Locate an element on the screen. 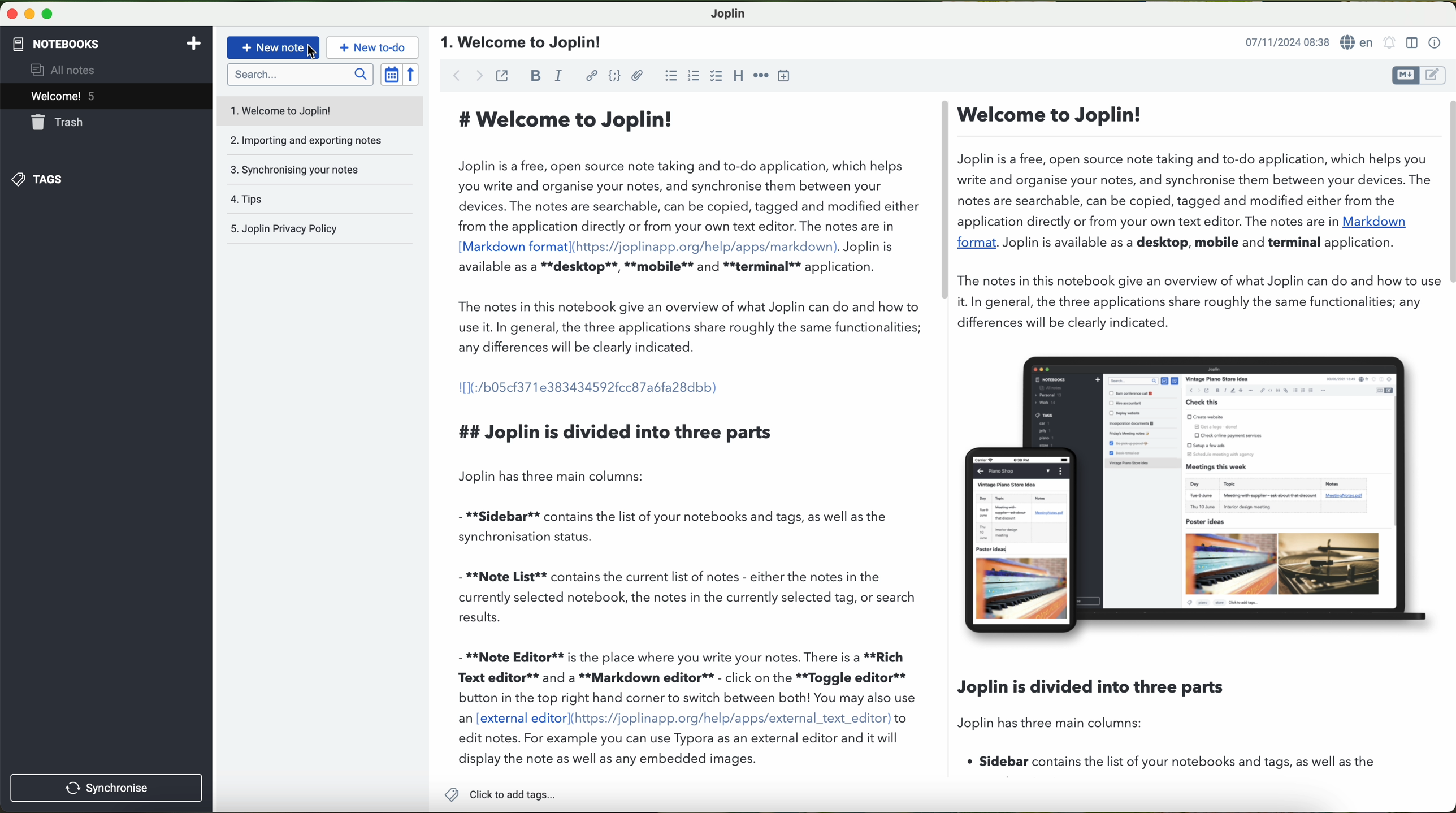 This screenshot has height=813, width=1456. back is located at coordinates (453, 74).